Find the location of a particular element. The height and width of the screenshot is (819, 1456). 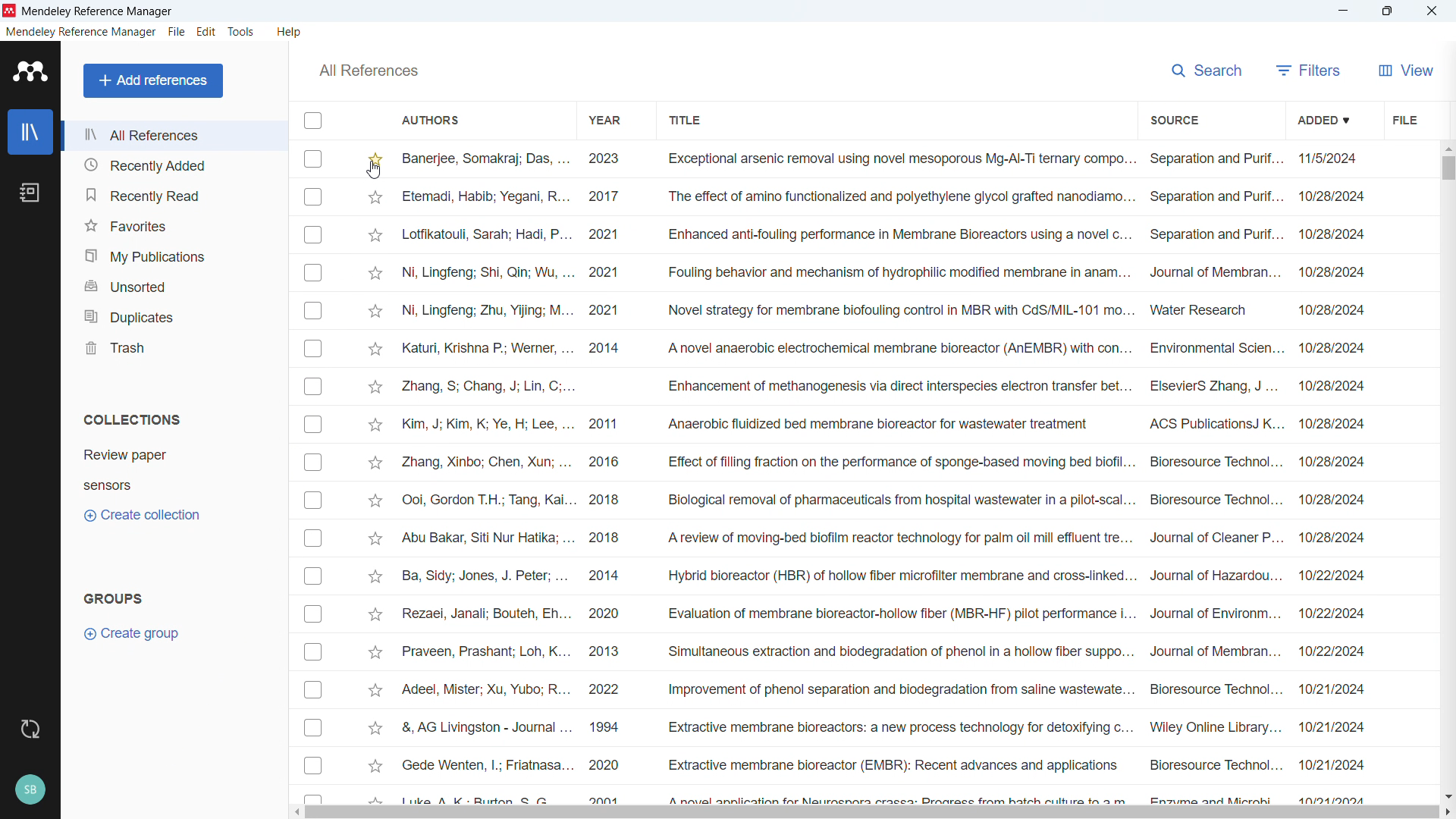

Year of publication for individual entries  is located at coordinates (604, 475).